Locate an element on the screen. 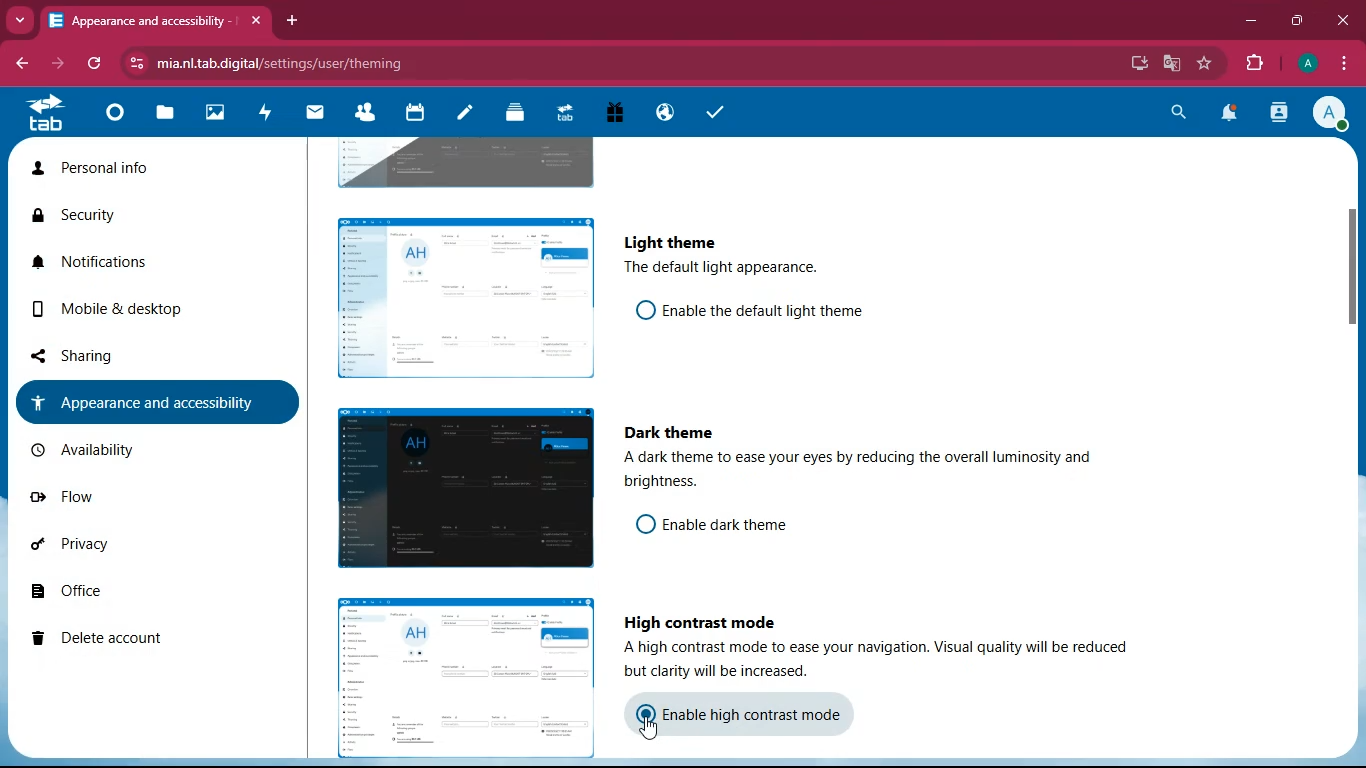  light theme is located at coordinates (667, 241).